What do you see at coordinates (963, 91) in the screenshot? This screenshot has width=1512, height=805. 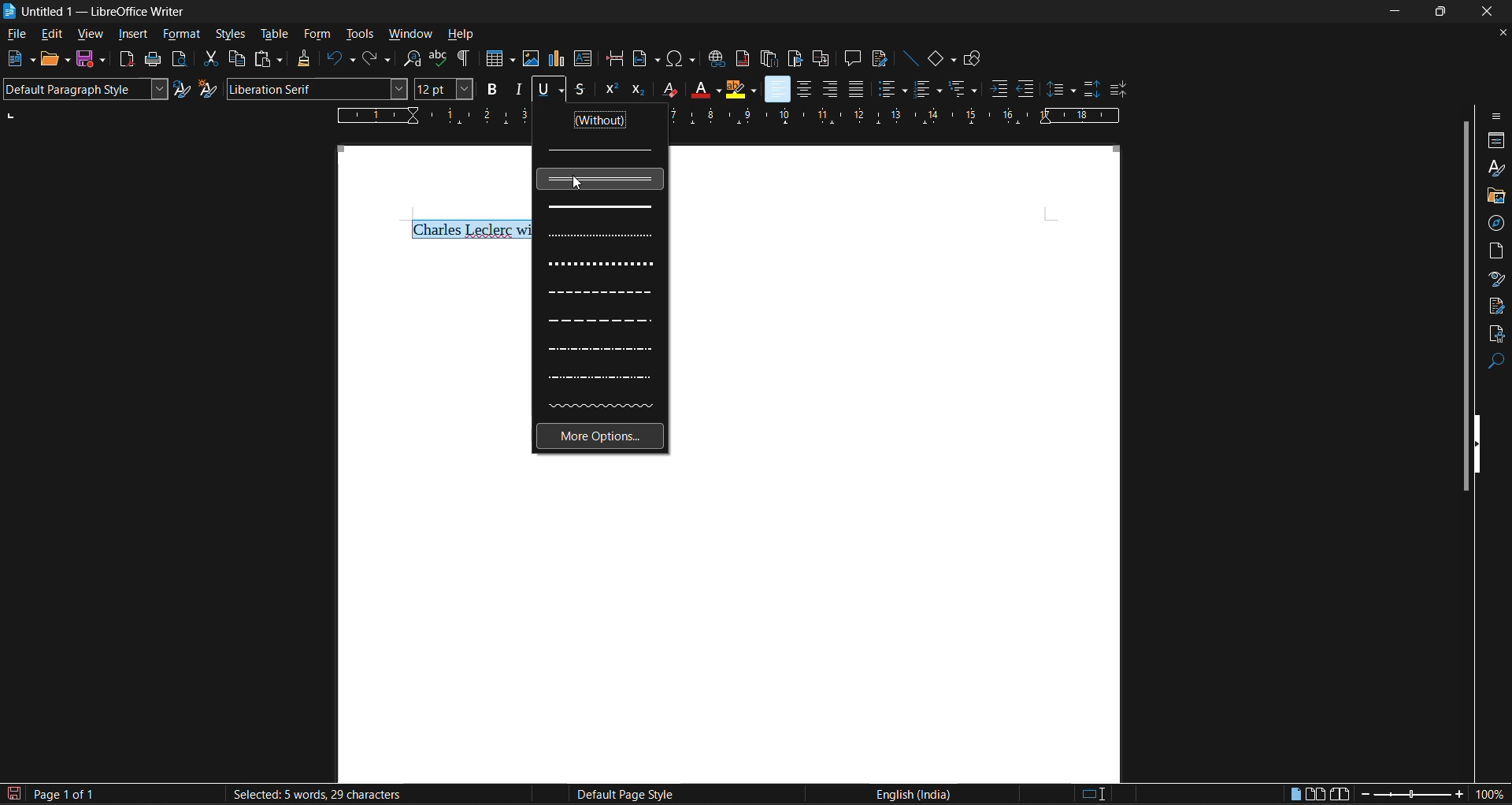 I see `select outline format` at bounding box center [963, 91].